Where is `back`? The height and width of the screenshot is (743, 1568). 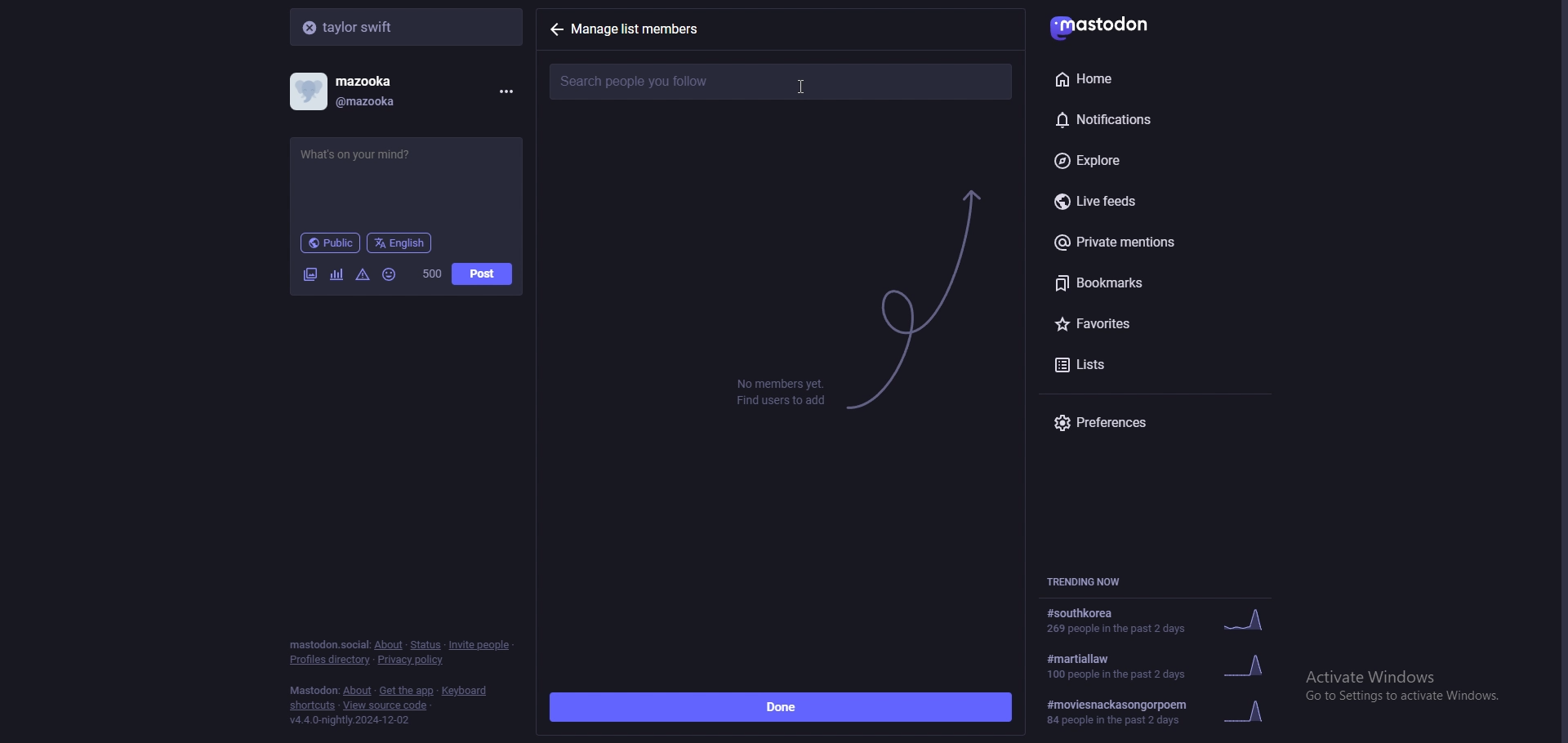 back is located at coordinates (556, 29).